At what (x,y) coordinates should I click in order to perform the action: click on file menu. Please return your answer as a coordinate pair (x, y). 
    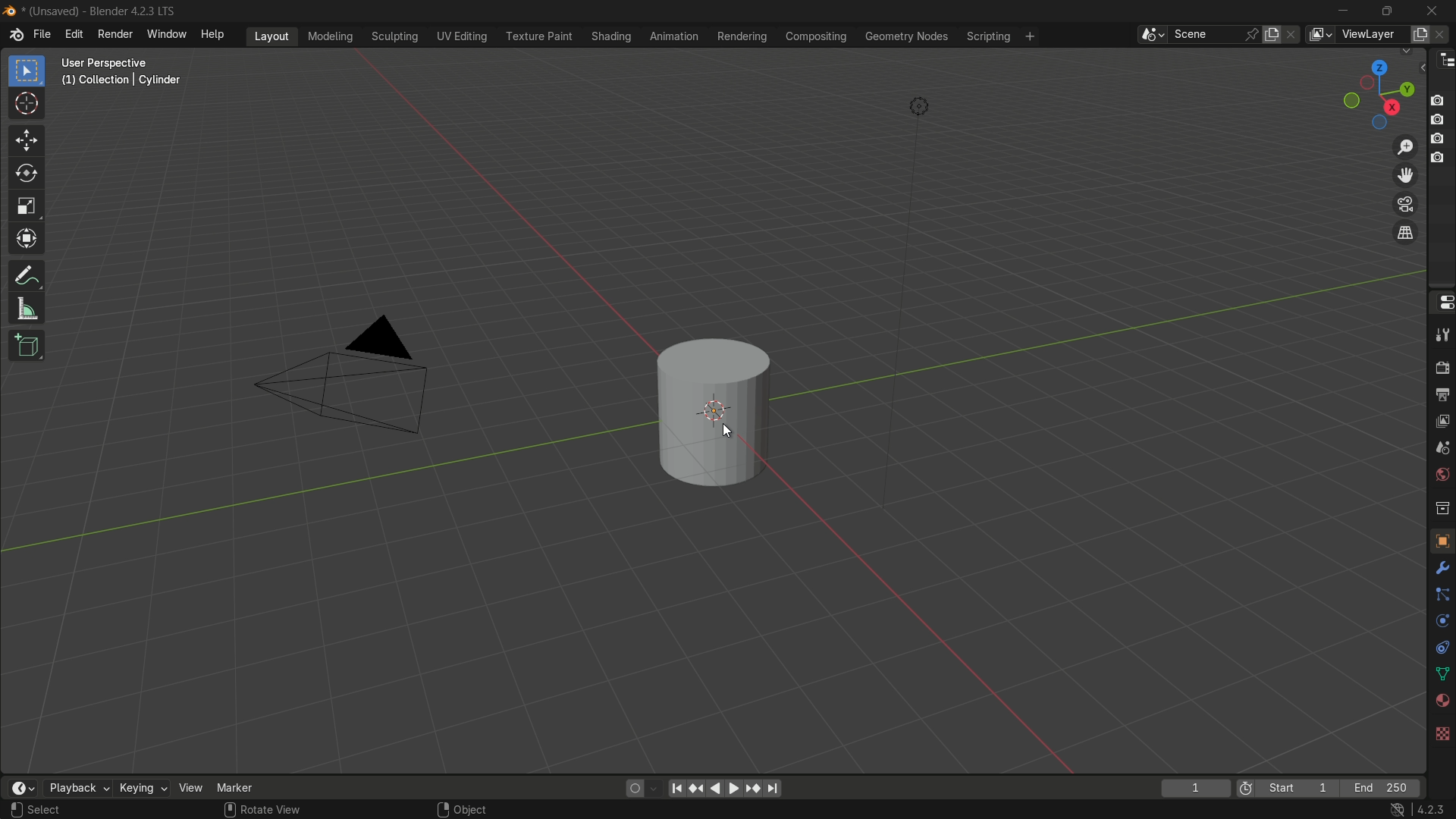
    Looking at the image, I should click on (42, 35).